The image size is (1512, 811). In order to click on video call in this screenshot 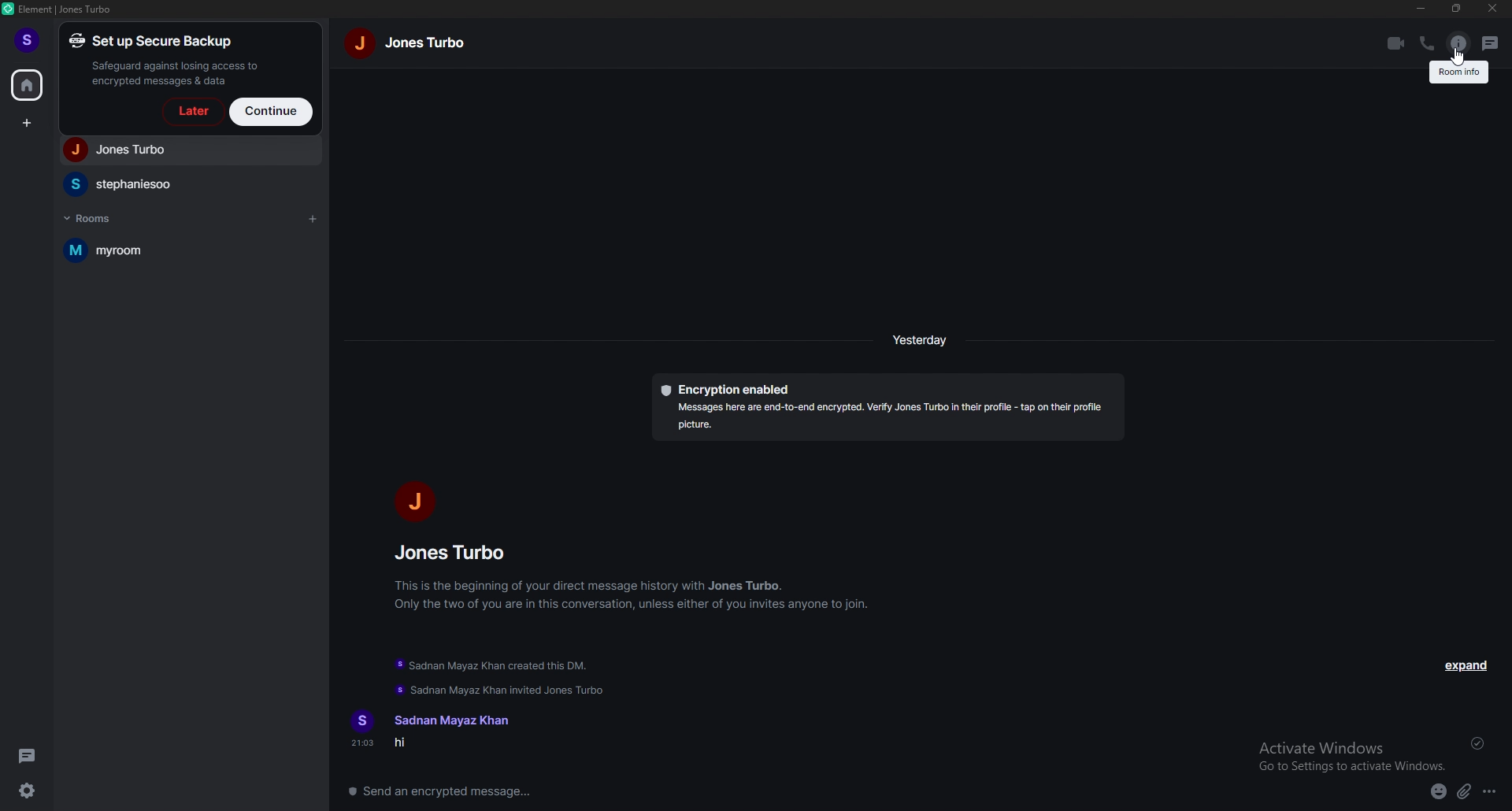, I will do `click(1395, 42)`.